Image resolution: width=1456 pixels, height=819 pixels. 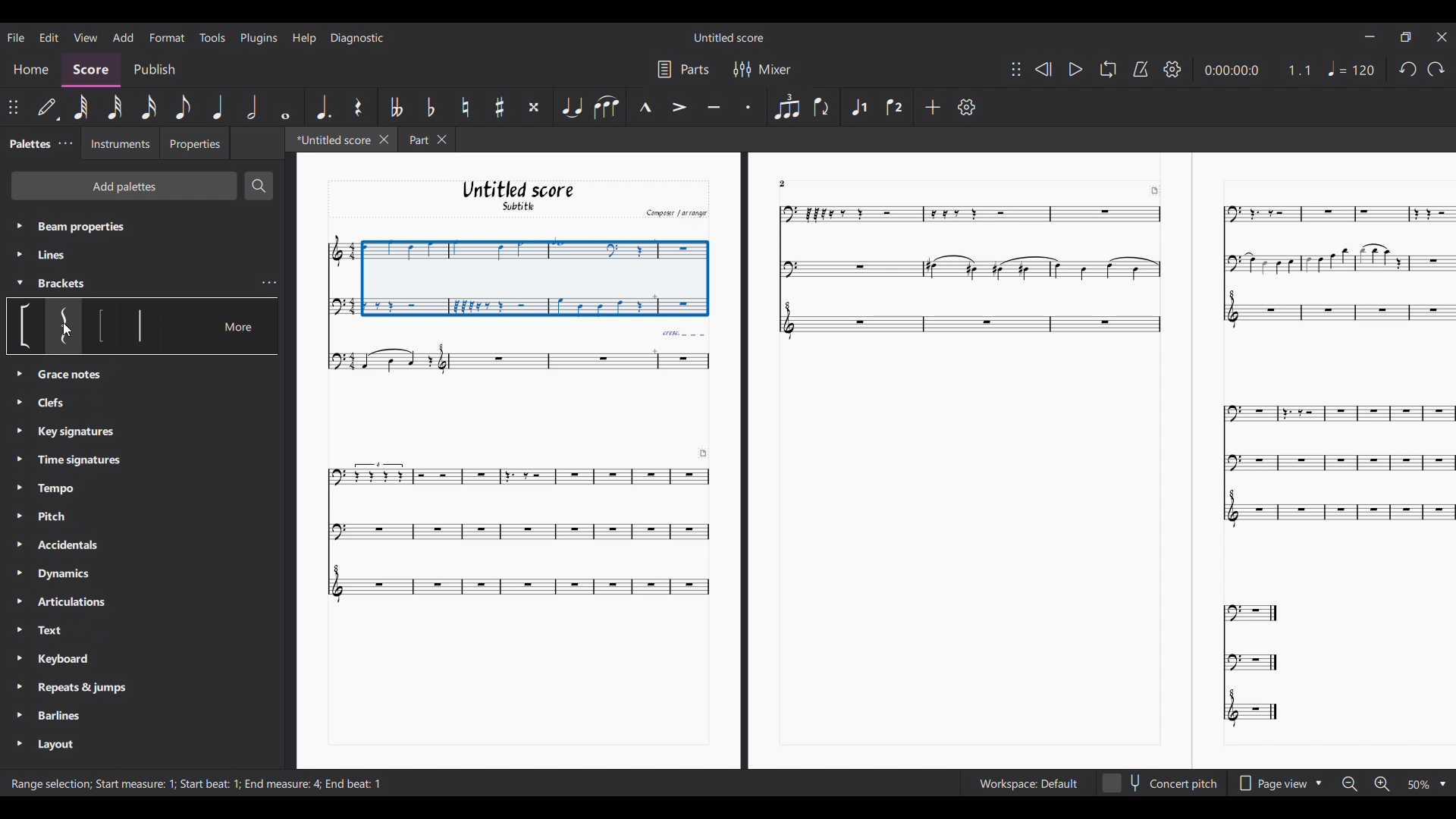 I want to click on Tie, so click(x=571, y=107).